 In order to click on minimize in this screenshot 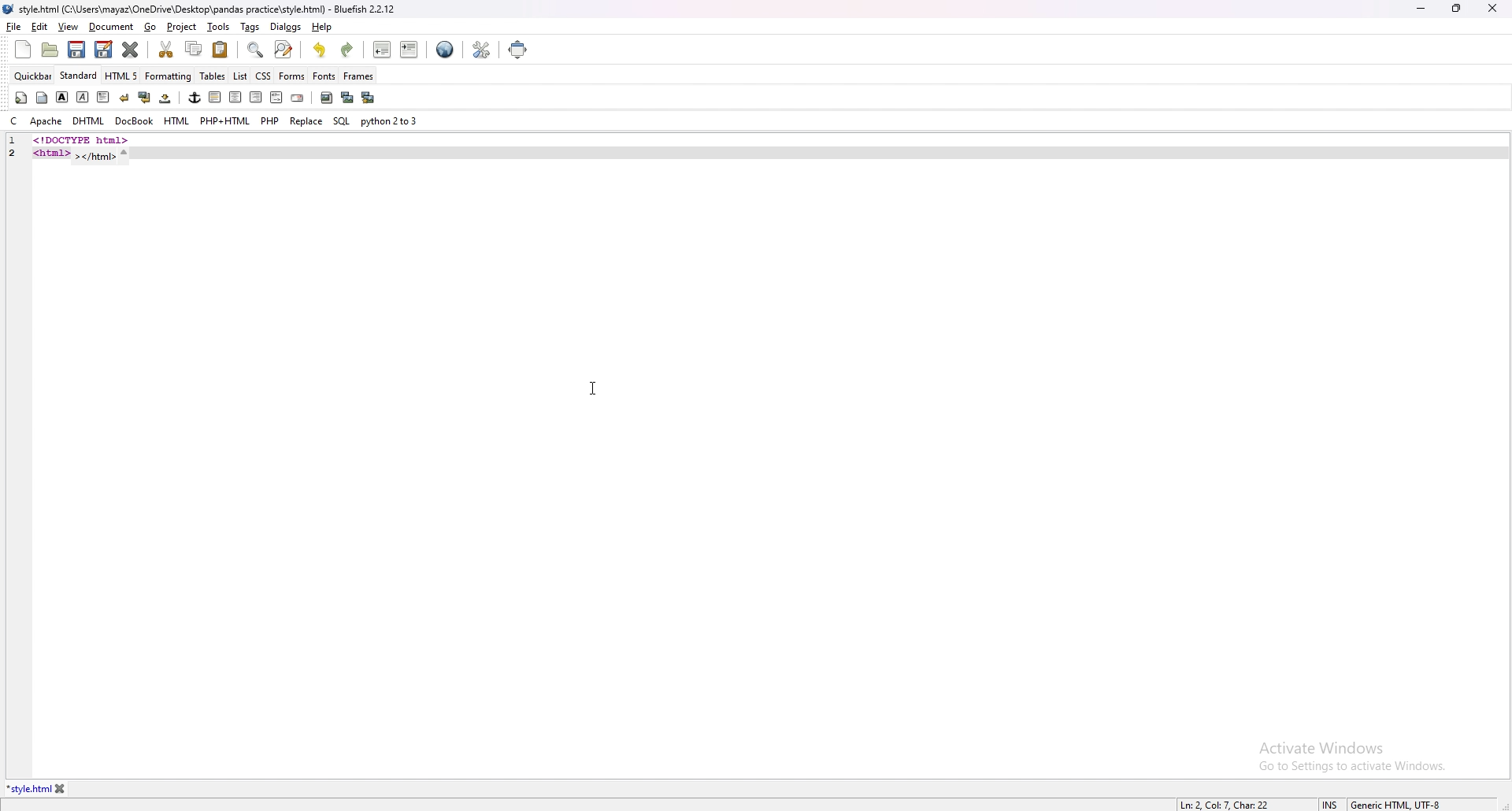, I will do `click(1421, 9)`.